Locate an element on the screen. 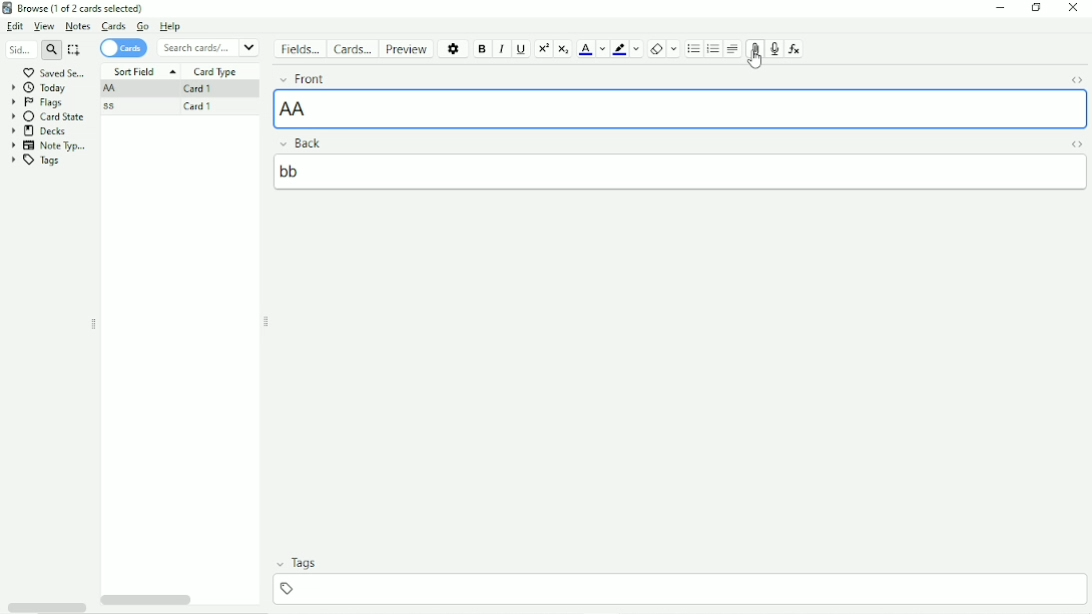 The image size is (1092, 614). Go is located at coordinates (142, 25).